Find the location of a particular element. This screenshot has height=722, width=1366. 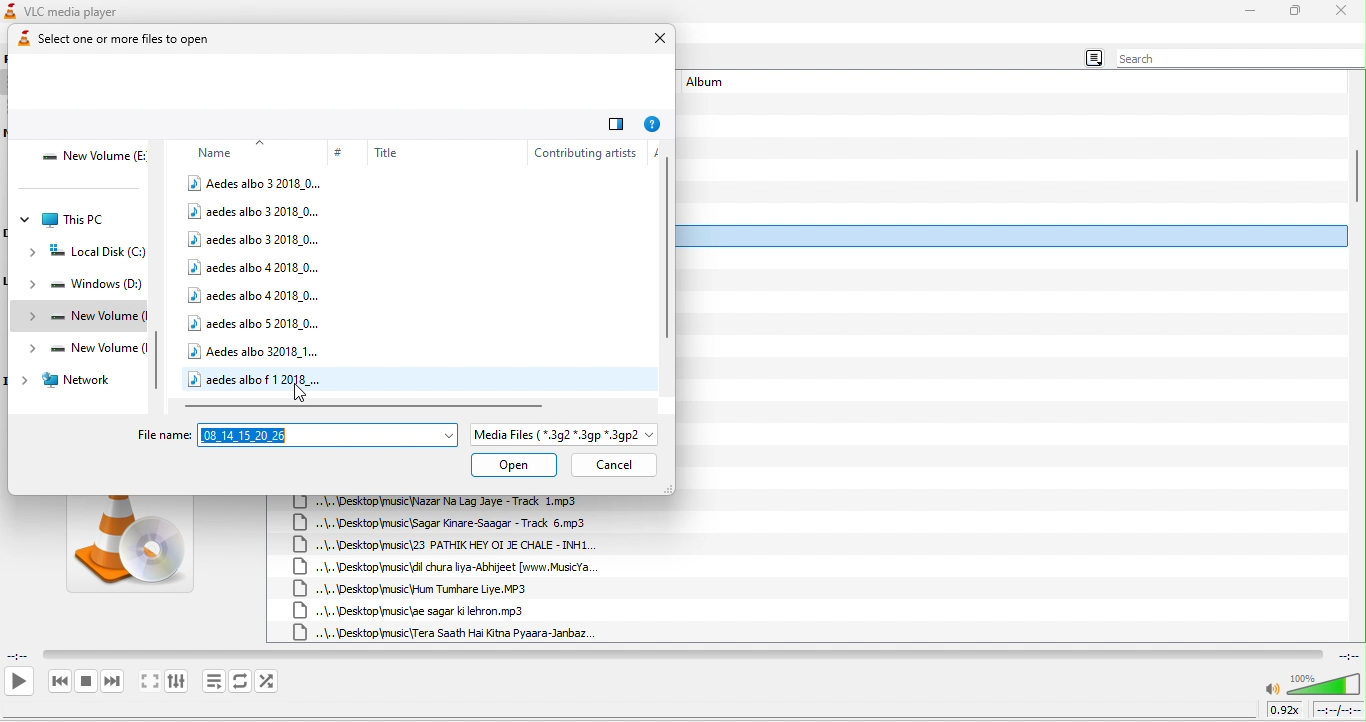

select one or more files to open is located at coordinates (140, 41).